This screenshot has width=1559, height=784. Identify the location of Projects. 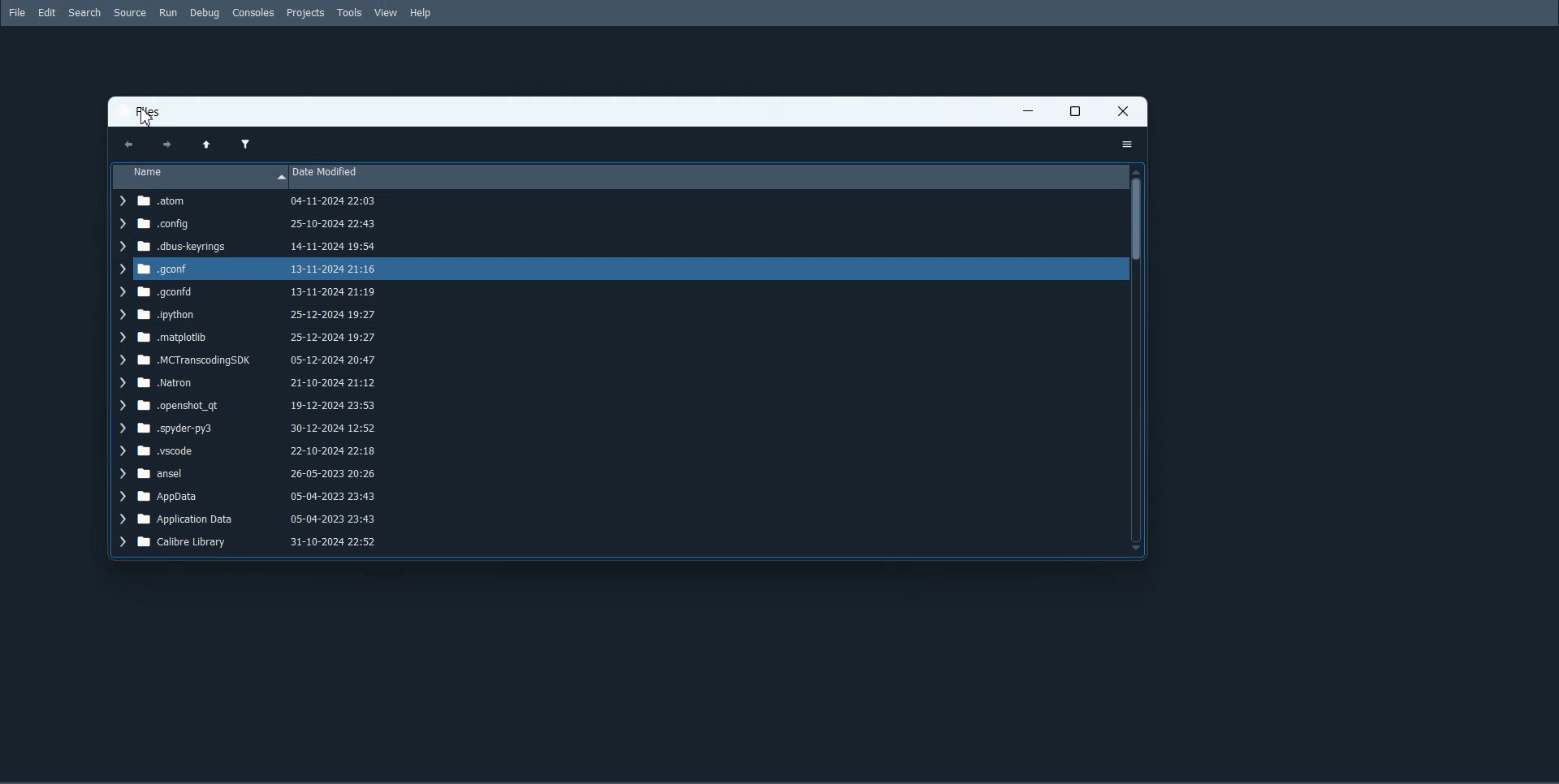
(305, 12).